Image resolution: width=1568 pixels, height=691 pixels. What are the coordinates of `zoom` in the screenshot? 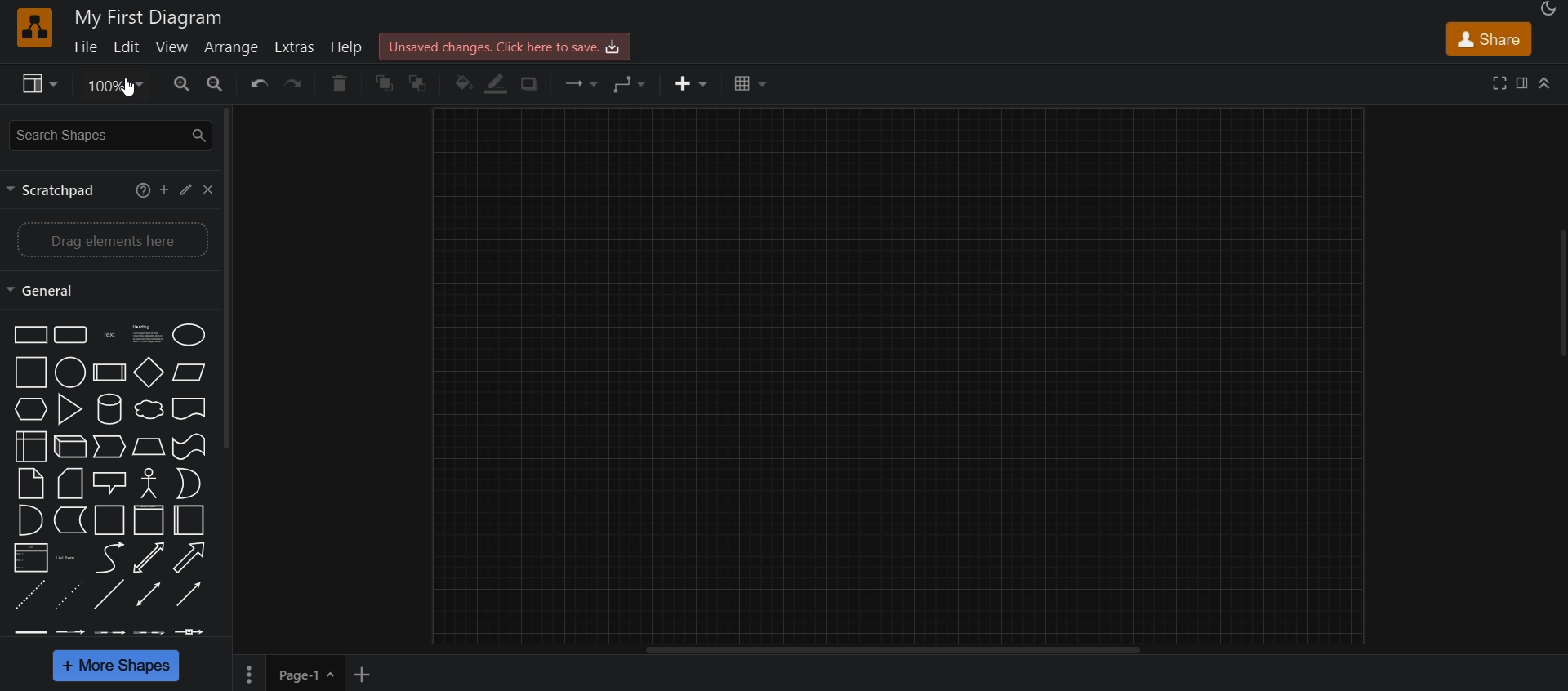 It's located at (113, 87).